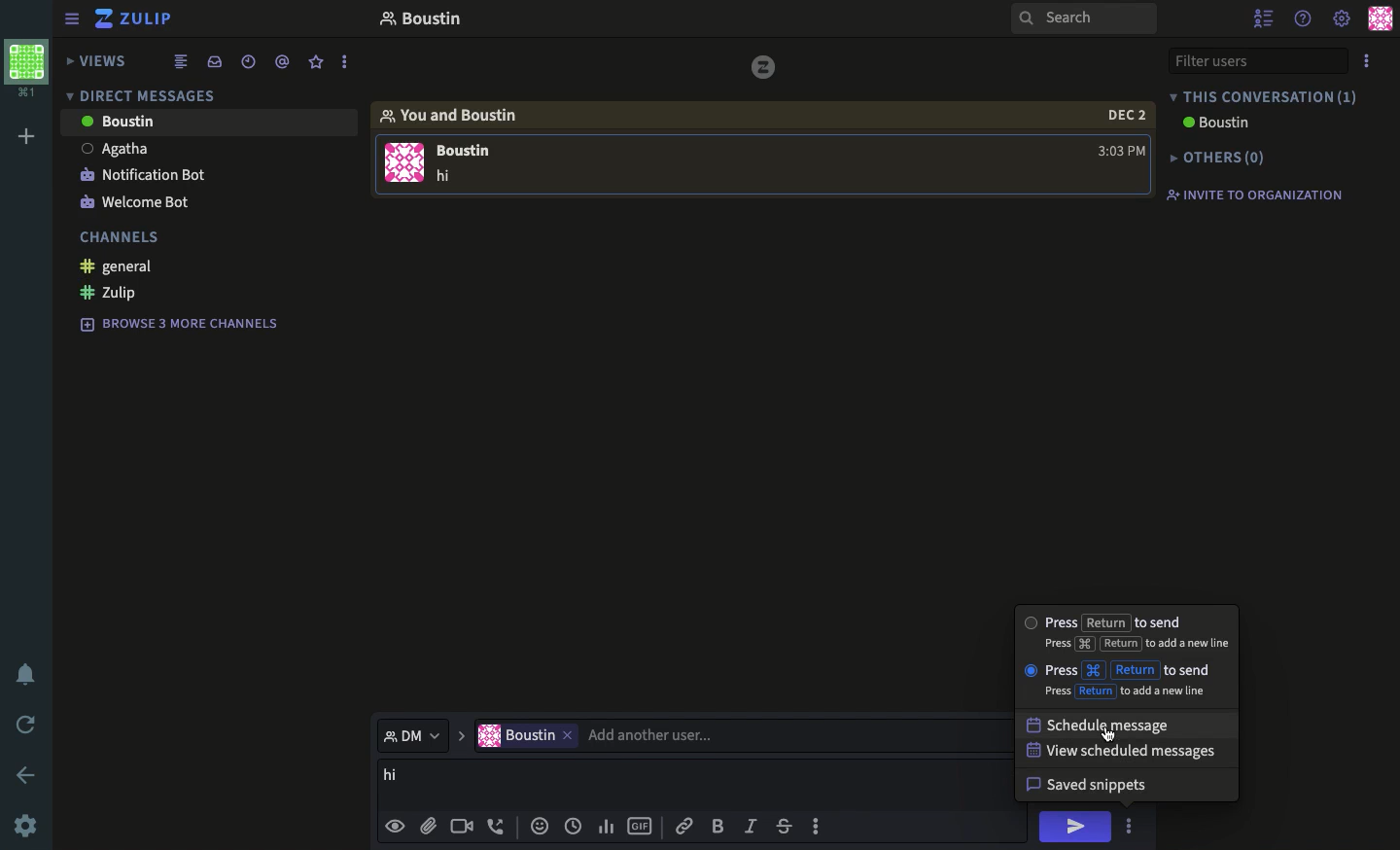 This screenshot has width=1400, height=850. I want to click on sidebar, so click(72, 20).